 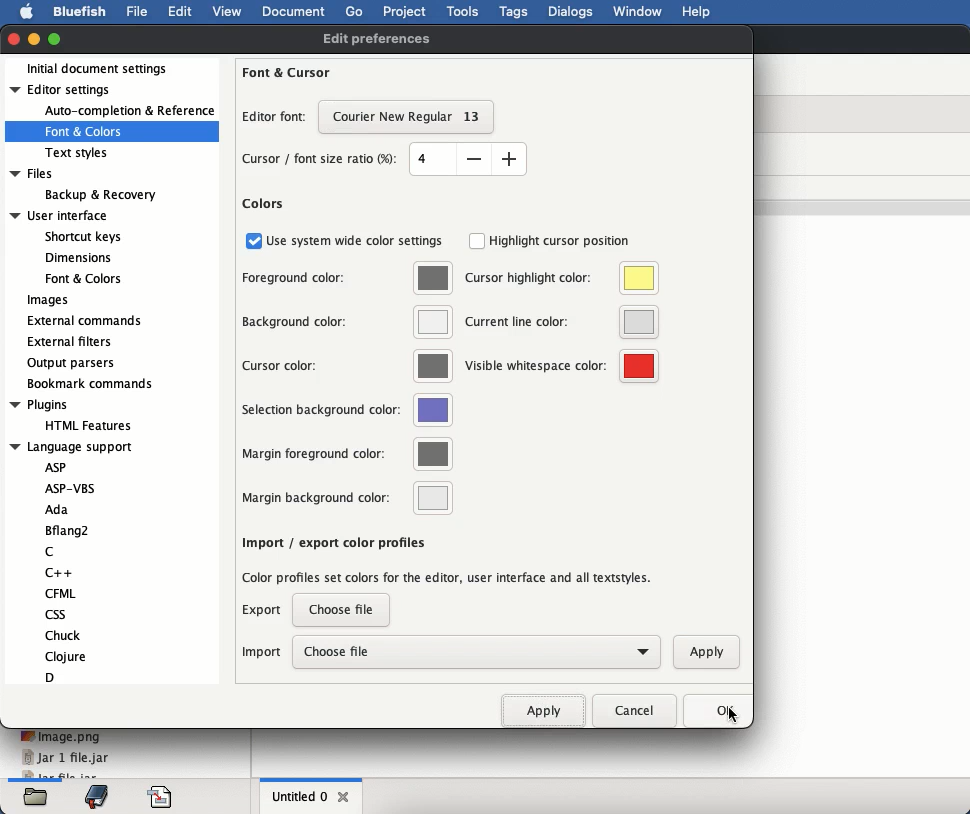 What do you see at coordinates (514, 12) in the screenshot?
I see `tags` at bounding box center [514, 12].